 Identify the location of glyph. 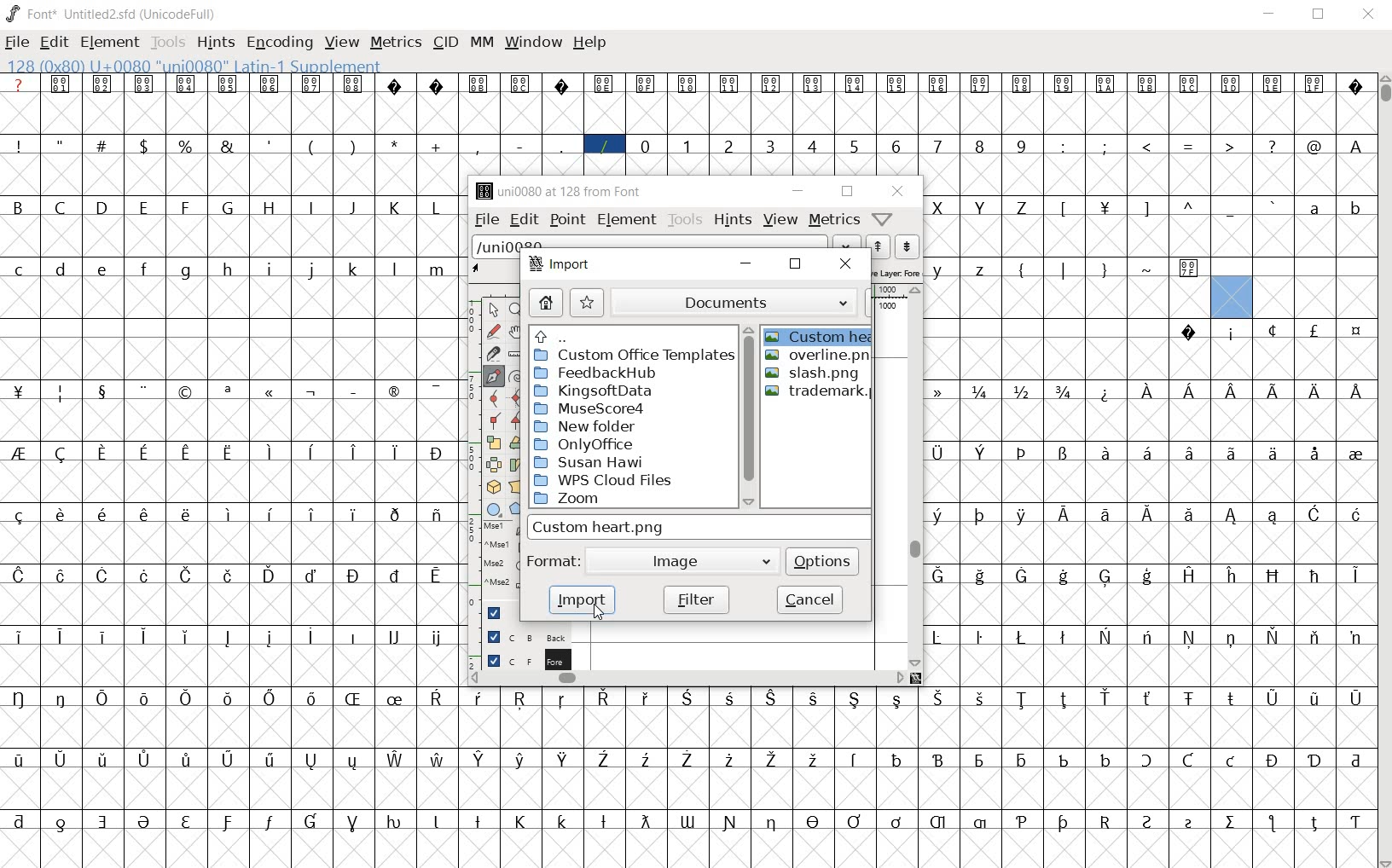
(105, 270).